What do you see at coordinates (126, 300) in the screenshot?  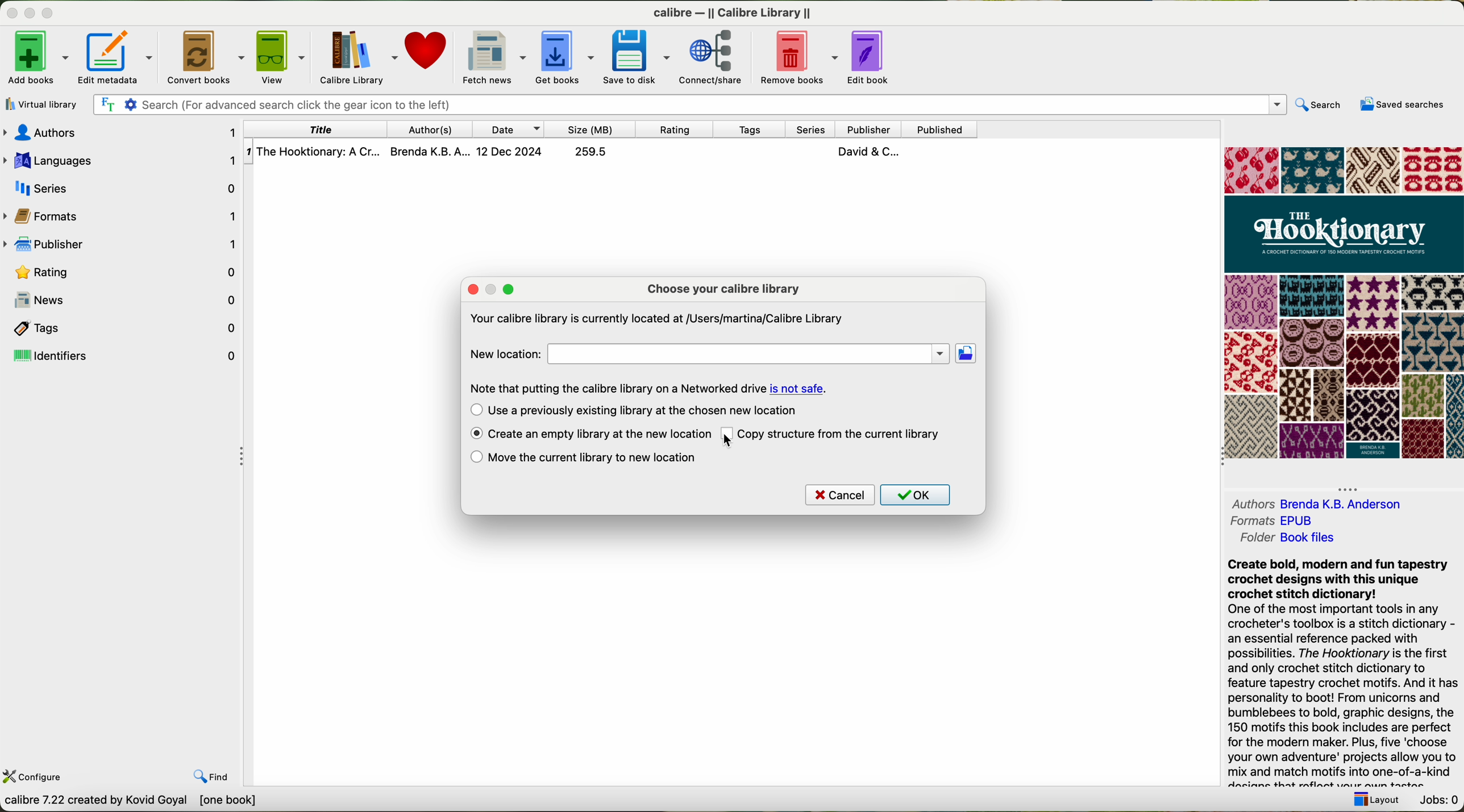 I see `news` at bounding box center [126, 300].